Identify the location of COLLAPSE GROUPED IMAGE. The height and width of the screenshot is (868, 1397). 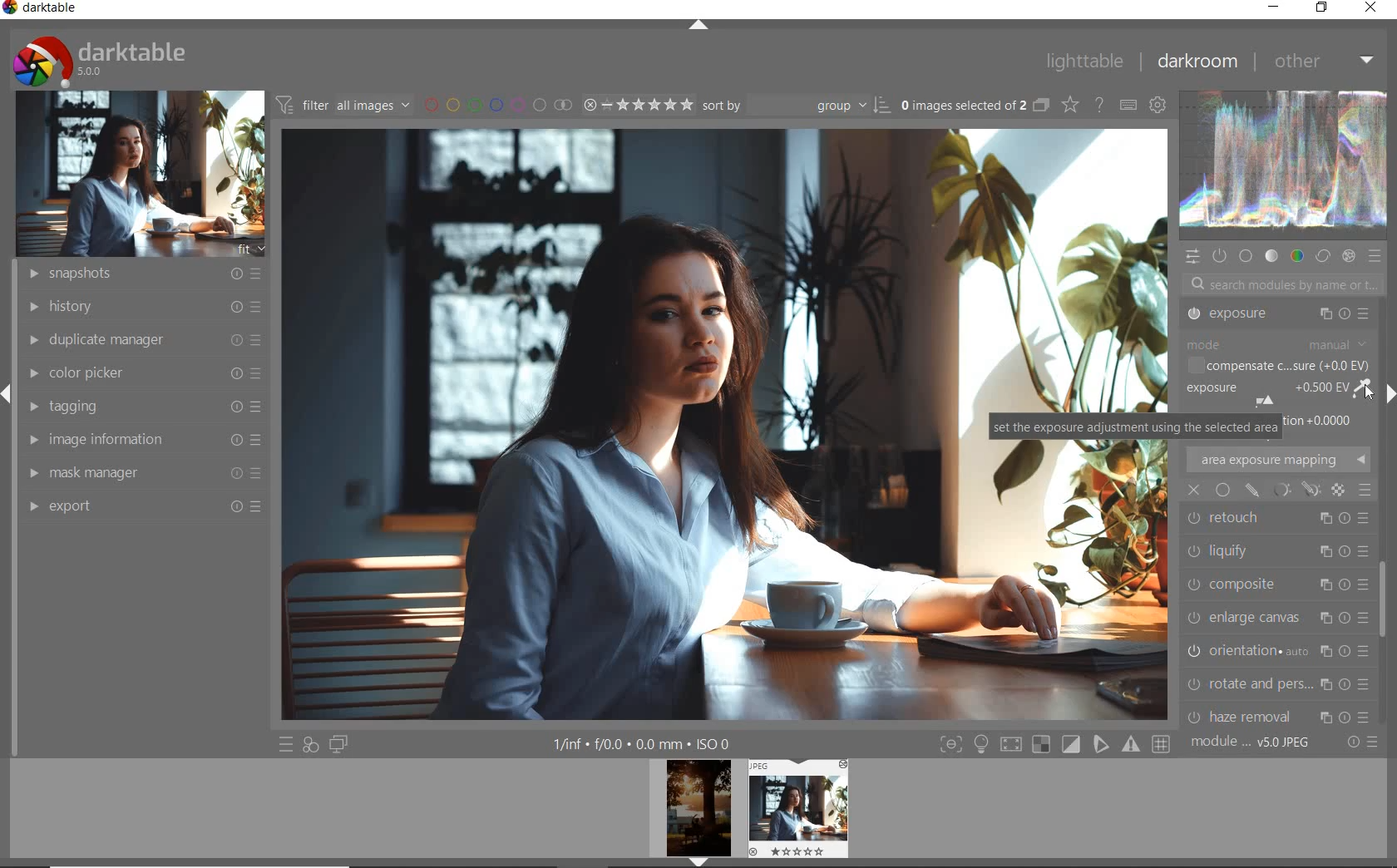
(1040, 106).